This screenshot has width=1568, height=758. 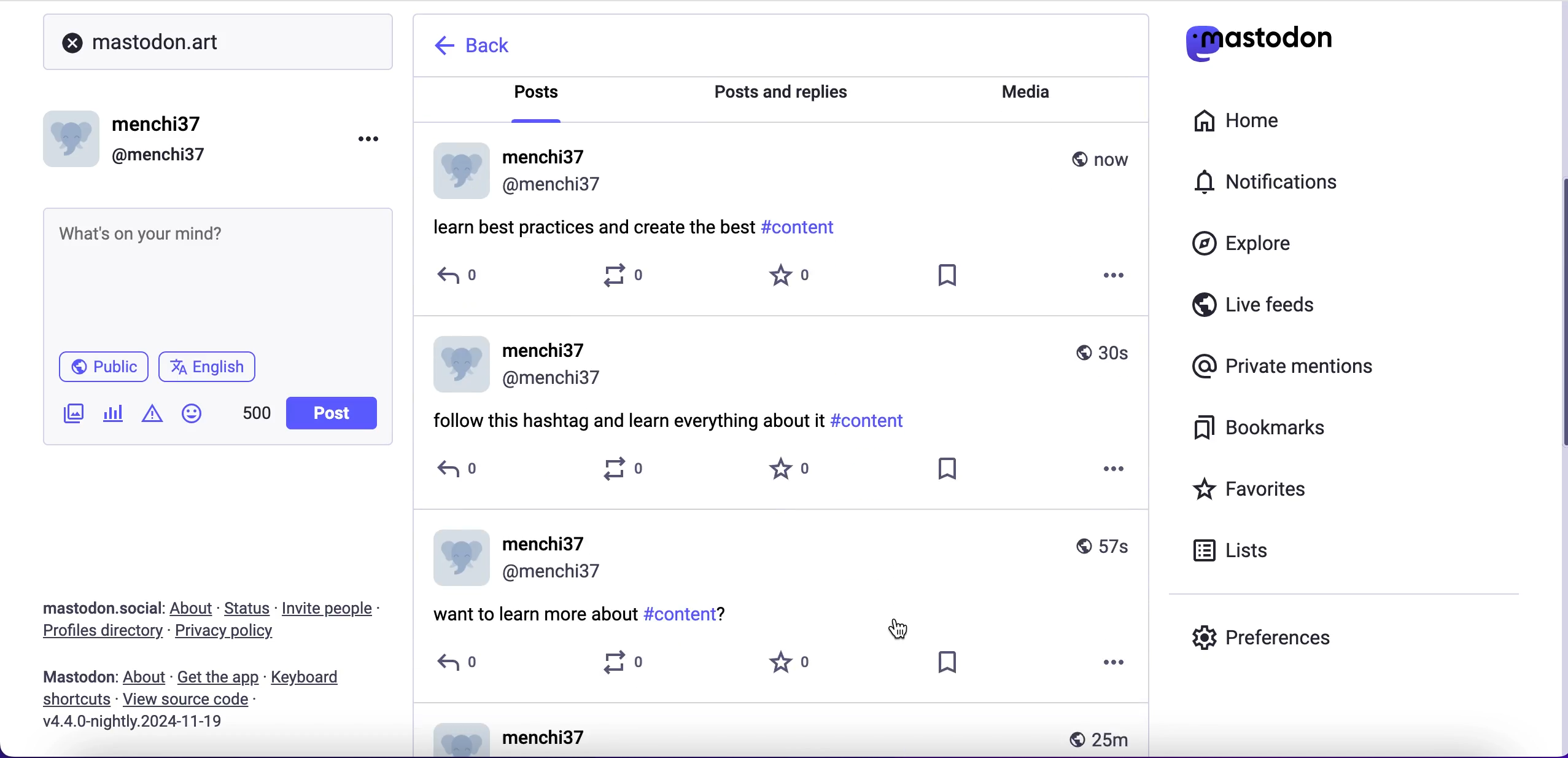 What do you see at coordinates (373, 138) in the screenshot?
I see `options` at bounding box center [373, 138].